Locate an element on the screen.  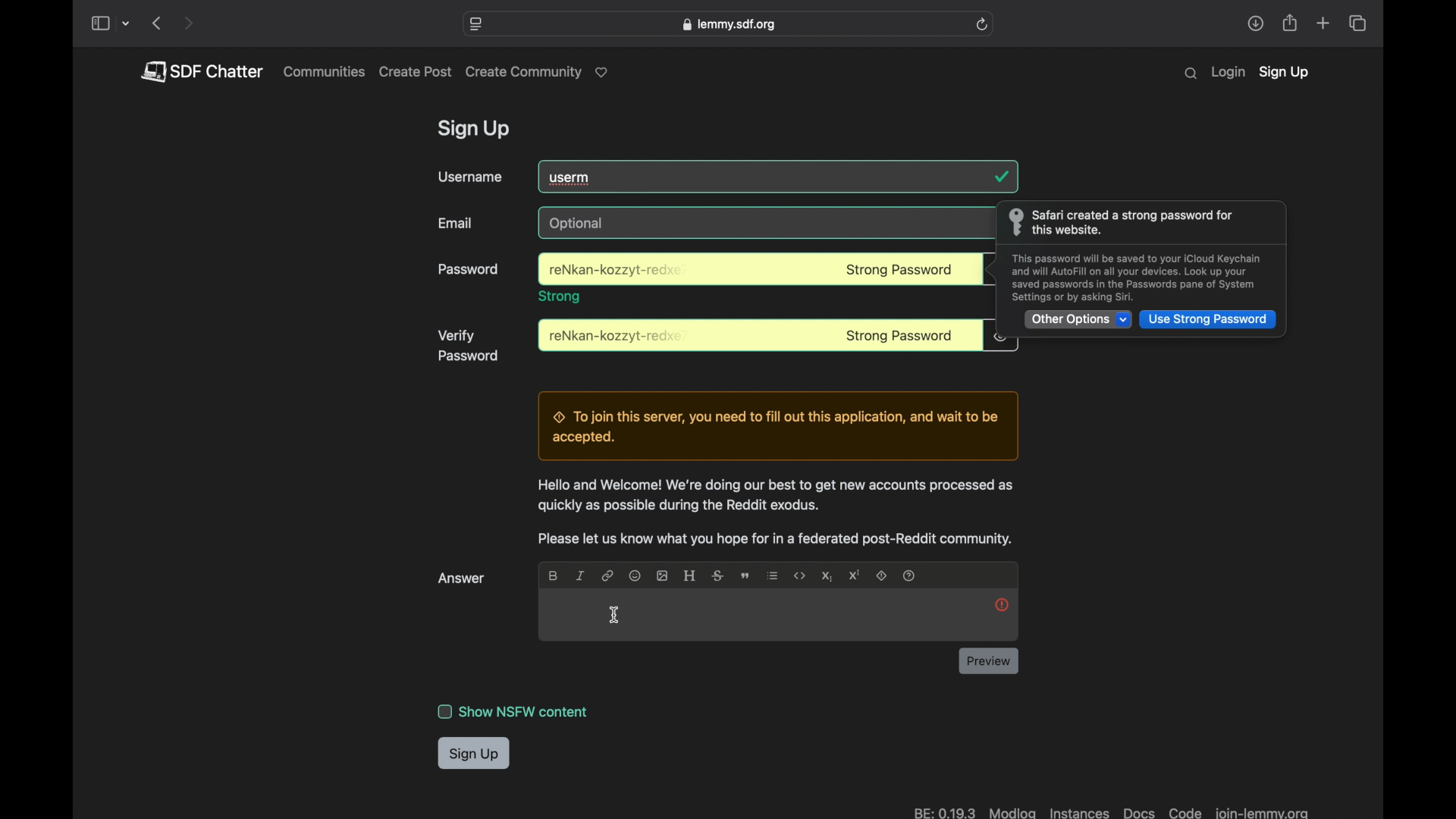
strong password is located at coordinates (899, 337).